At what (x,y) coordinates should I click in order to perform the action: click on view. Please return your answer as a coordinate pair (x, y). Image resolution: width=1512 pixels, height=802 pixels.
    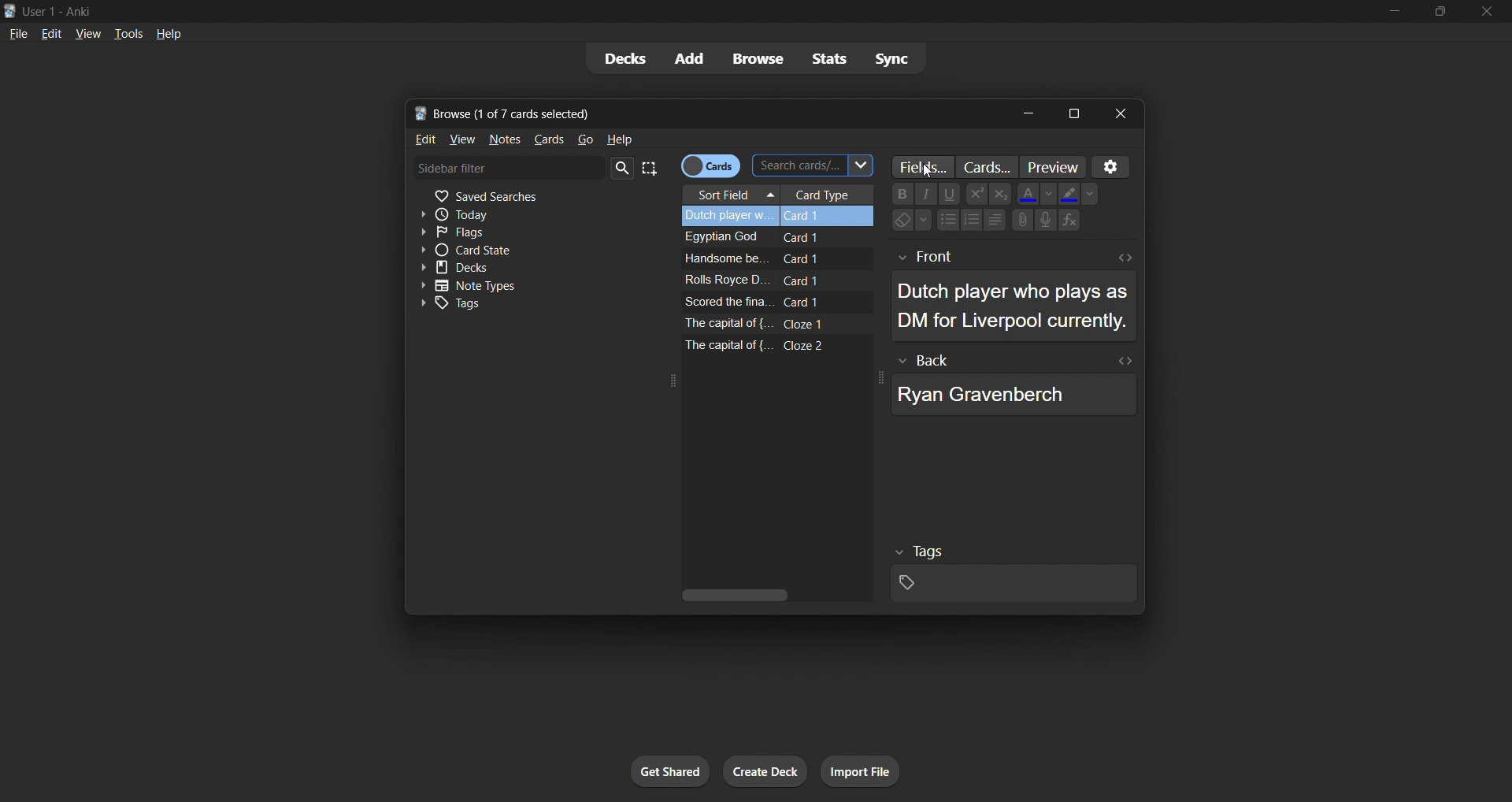
    Looking at the image, I should click on (462, 141).